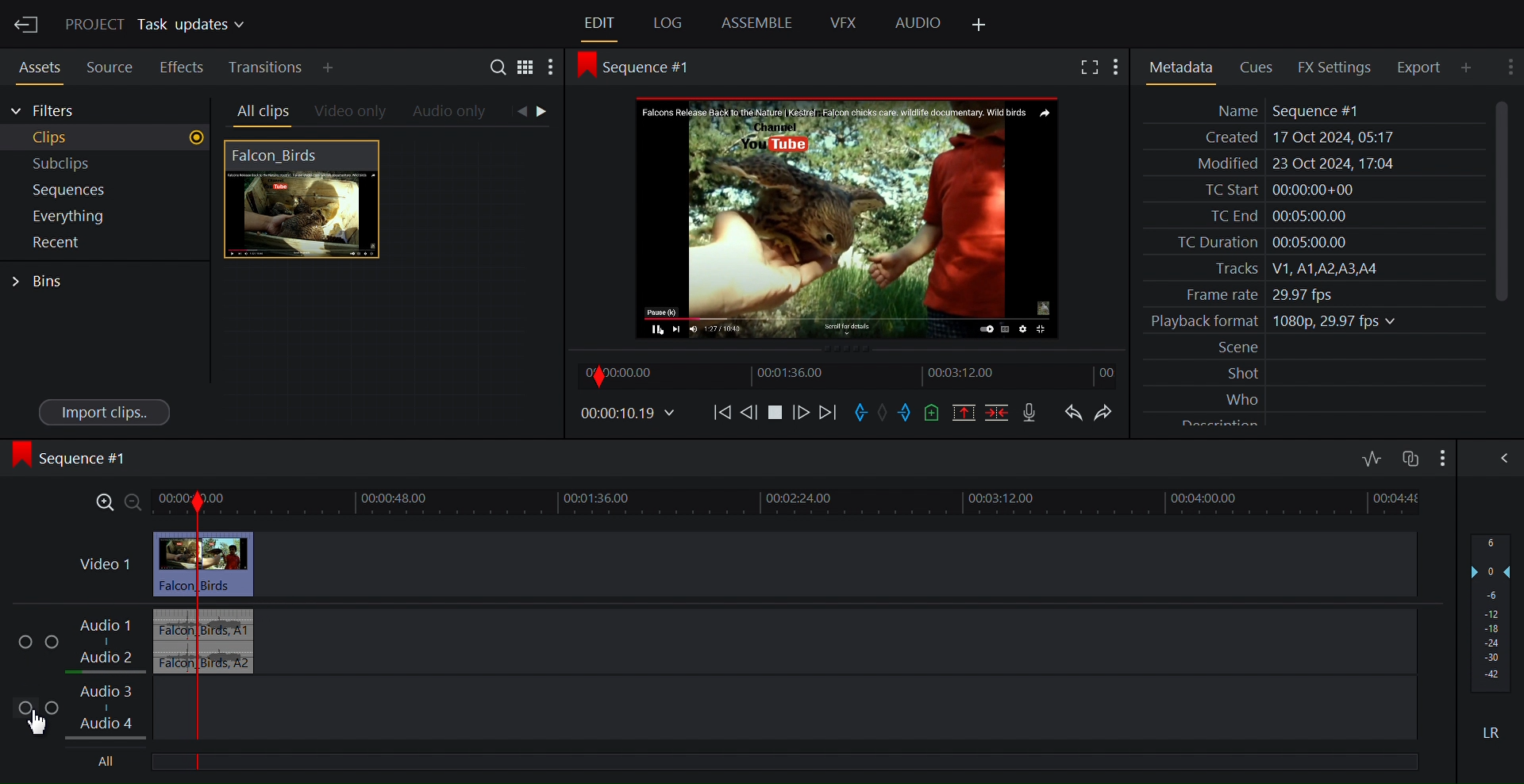  What do you see at coordinates (918, 24) in the screenshot?
I see `Audio` at bounding box center [918, 24].